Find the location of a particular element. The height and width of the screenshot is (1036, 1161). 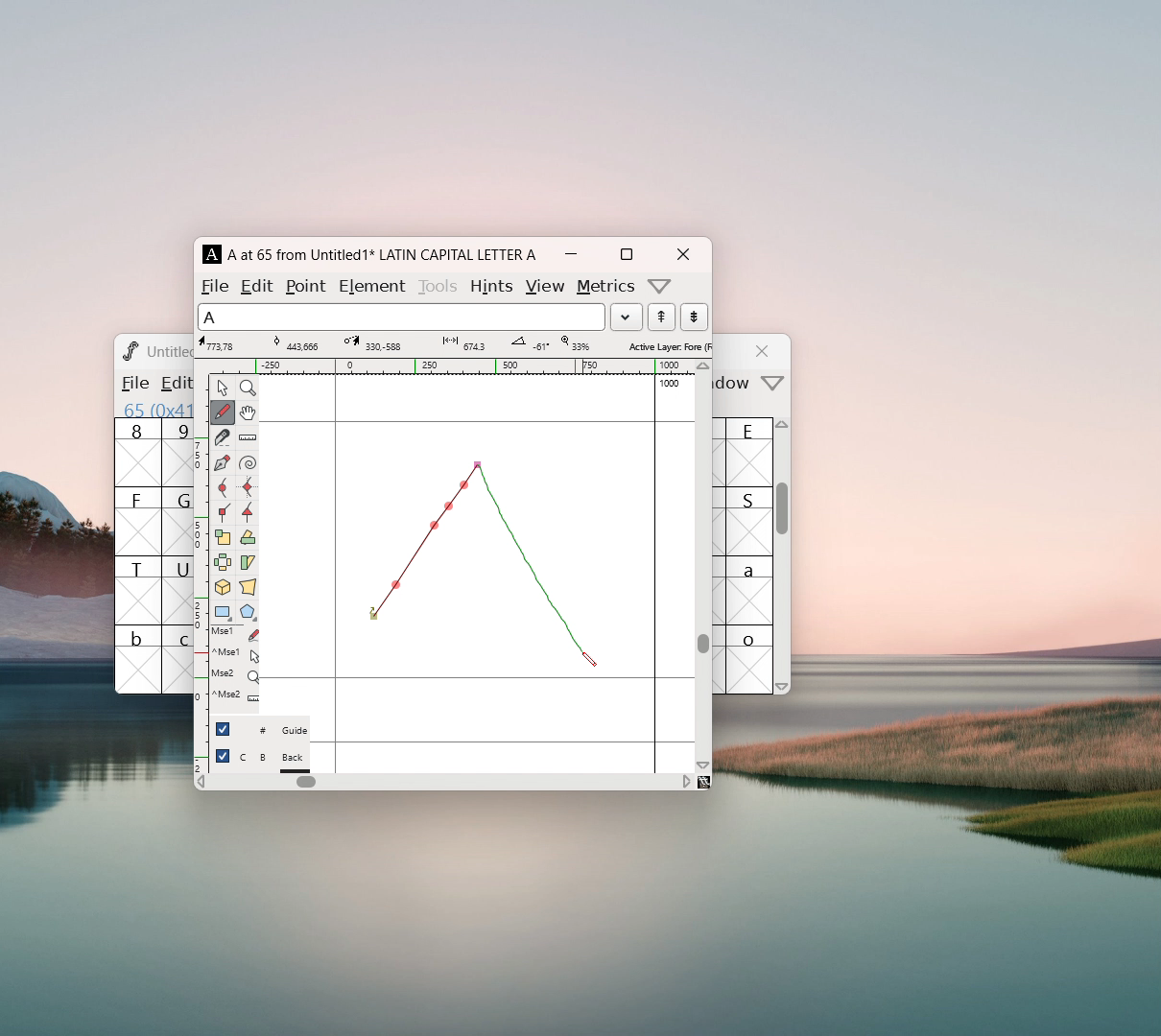

cut splines in two is located at coordinates (223, 439).